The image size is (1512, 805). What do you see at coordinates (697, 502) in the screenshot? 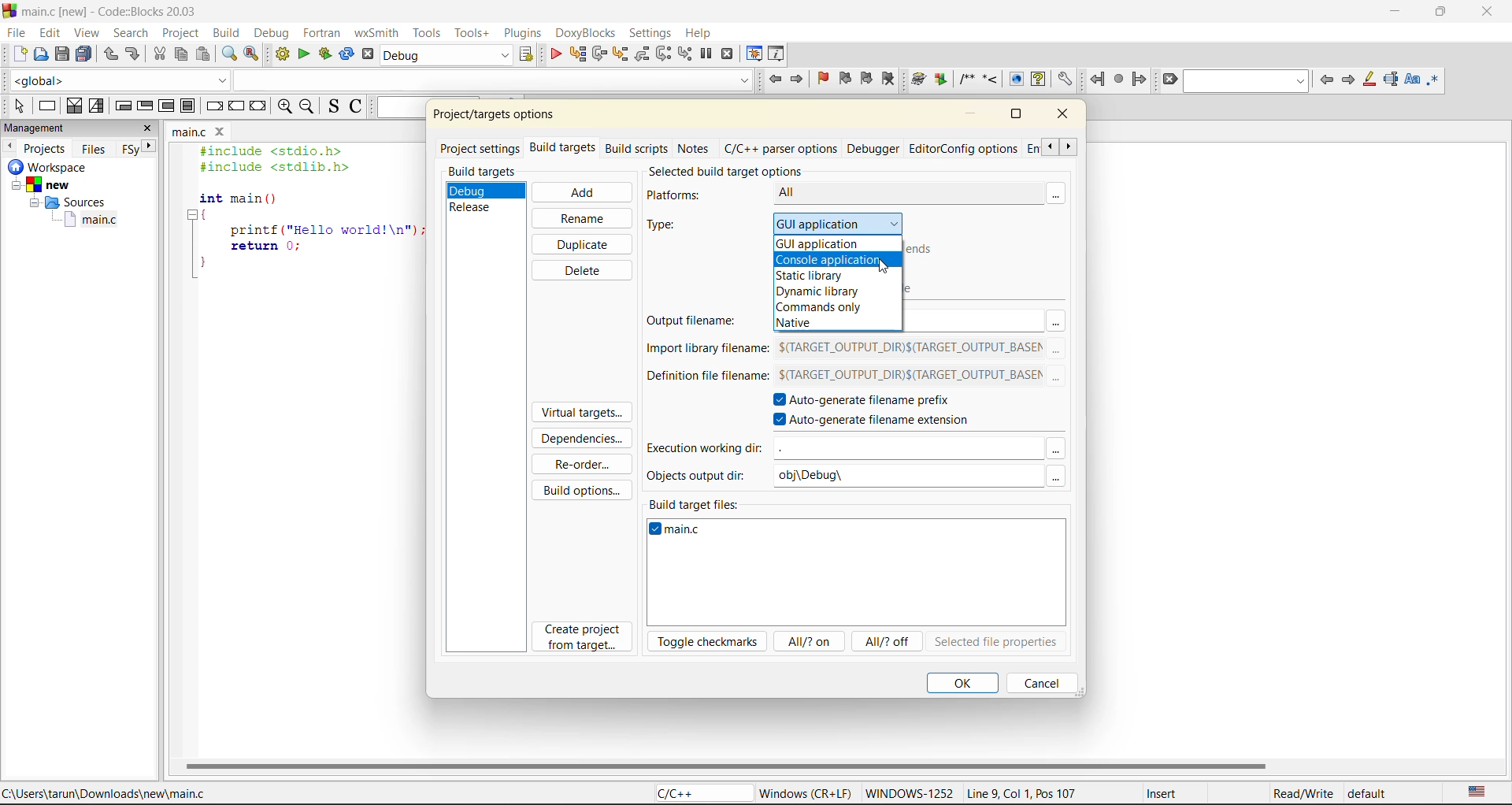
I see `build target files` at bounding box center [697, 502].